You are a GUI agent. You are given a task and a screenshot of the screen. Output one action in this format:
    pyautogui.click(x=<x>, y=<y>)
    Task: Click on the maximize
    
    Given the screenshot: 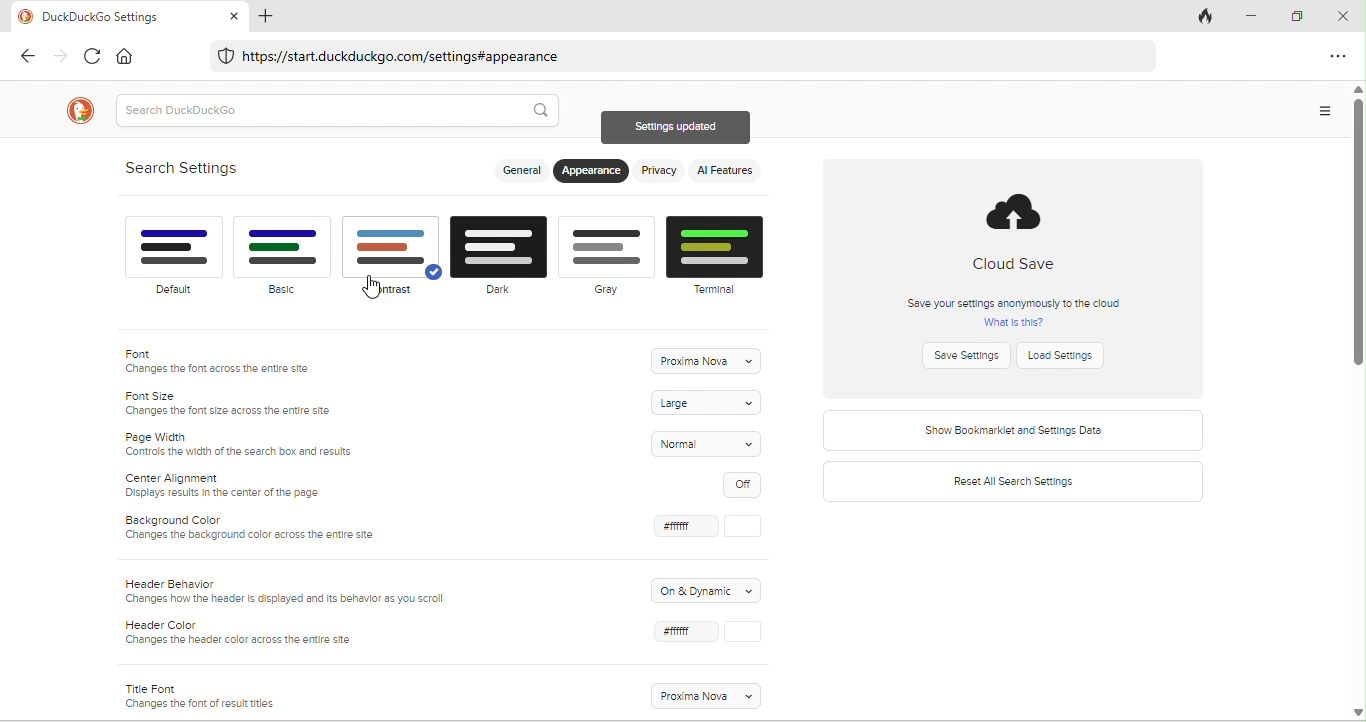 What is the action you would take?
    pyautogui.click(x=1302, y=17)
    